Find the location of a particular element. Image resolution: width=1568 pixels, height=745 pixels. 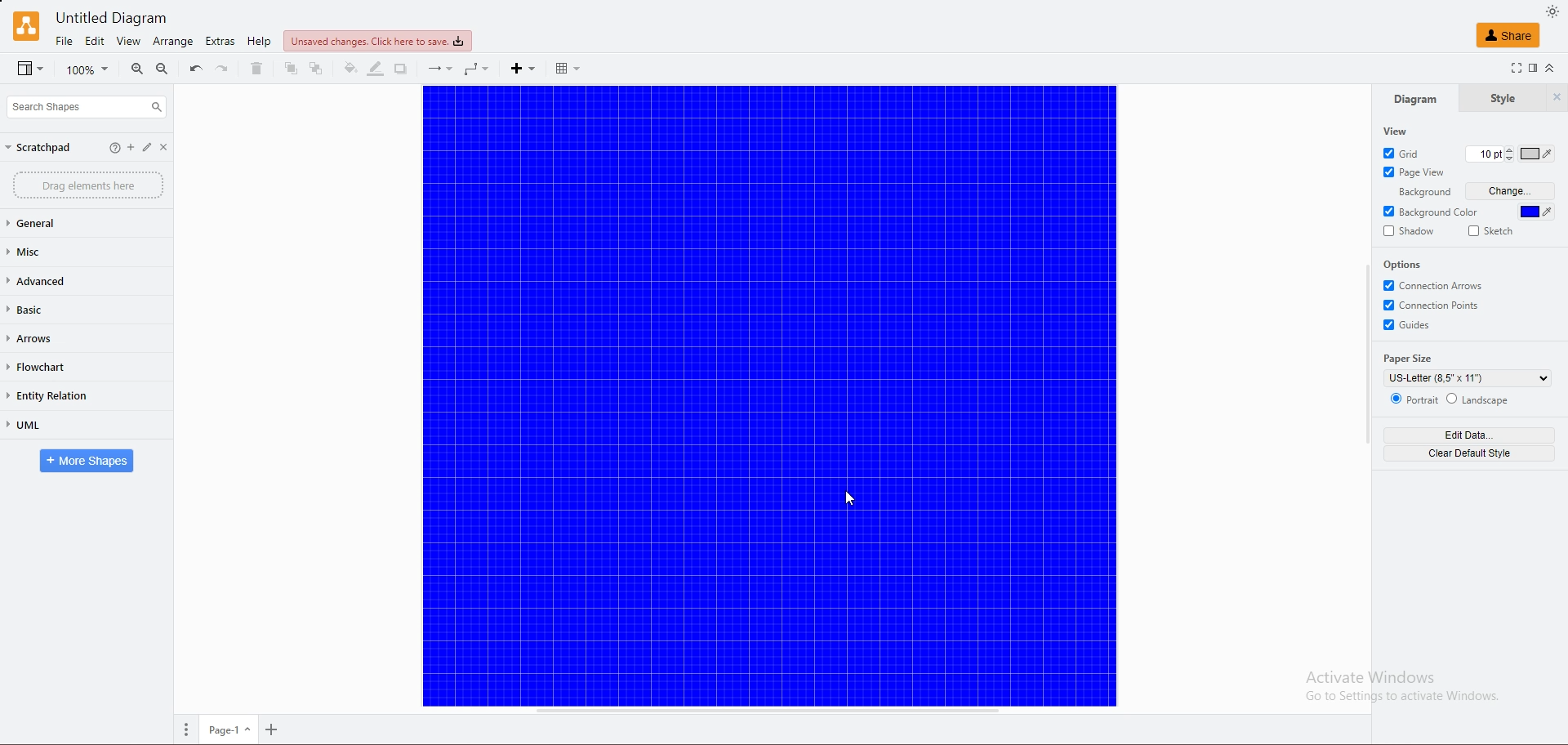

options is located at coordinates (1404, 264).